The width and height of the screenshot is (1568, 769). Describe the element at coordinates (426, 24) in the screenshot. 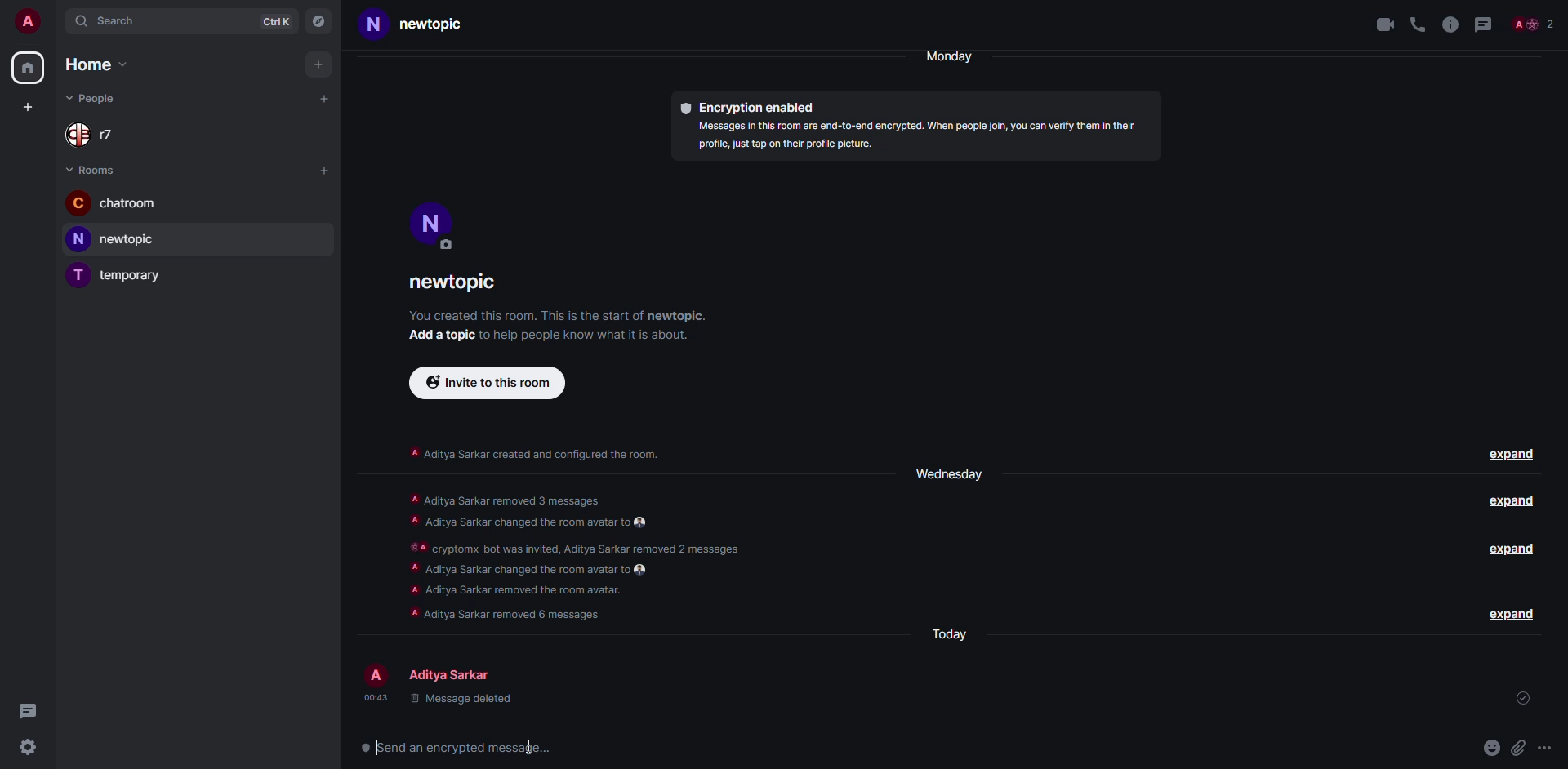

I see `room` at that location.